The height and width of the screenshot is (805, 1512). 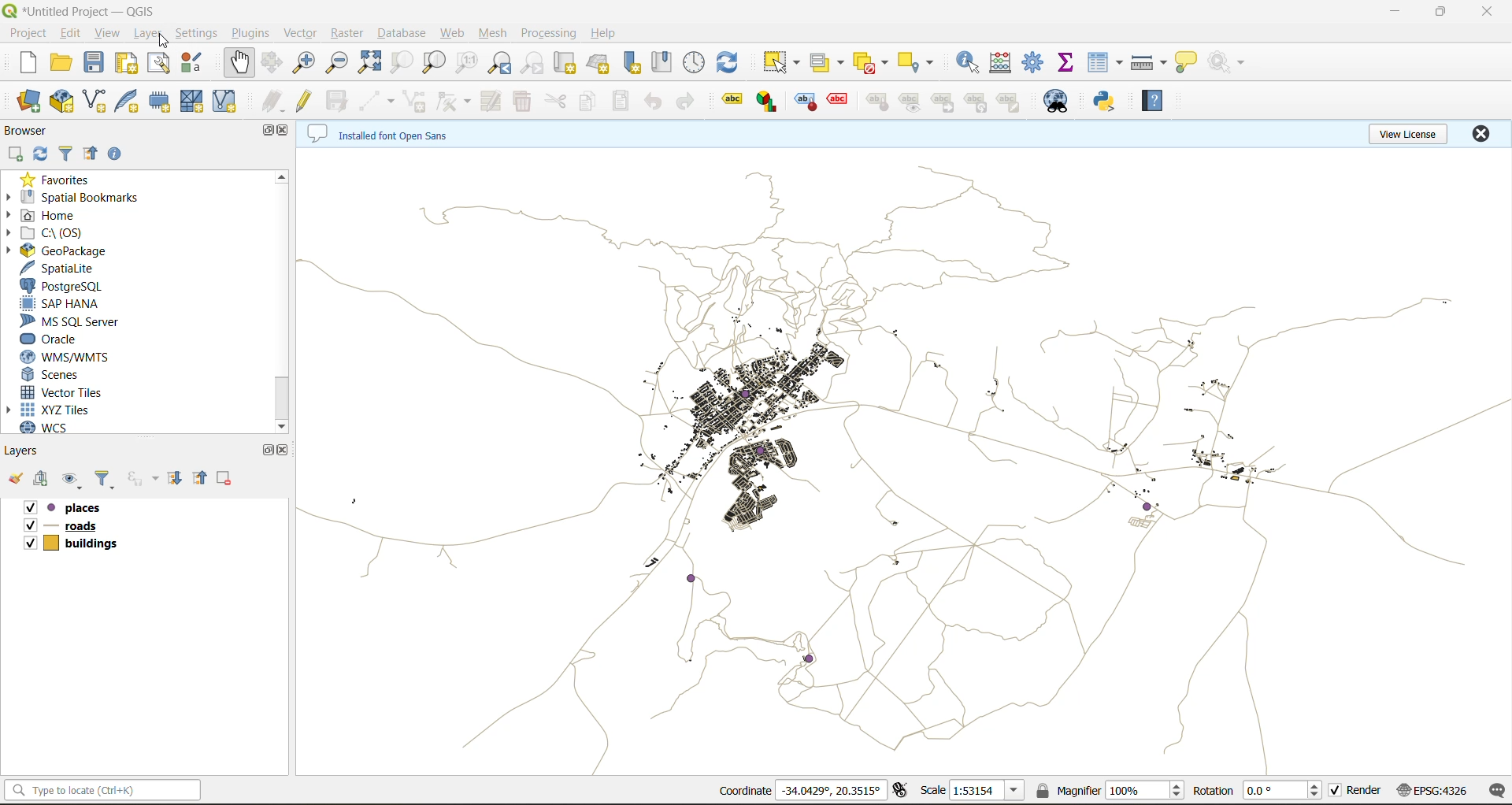 What do you see at coordinates (1002, 65) in the screenshot?
I see `open calculator` at bounding box center [1002, 65].